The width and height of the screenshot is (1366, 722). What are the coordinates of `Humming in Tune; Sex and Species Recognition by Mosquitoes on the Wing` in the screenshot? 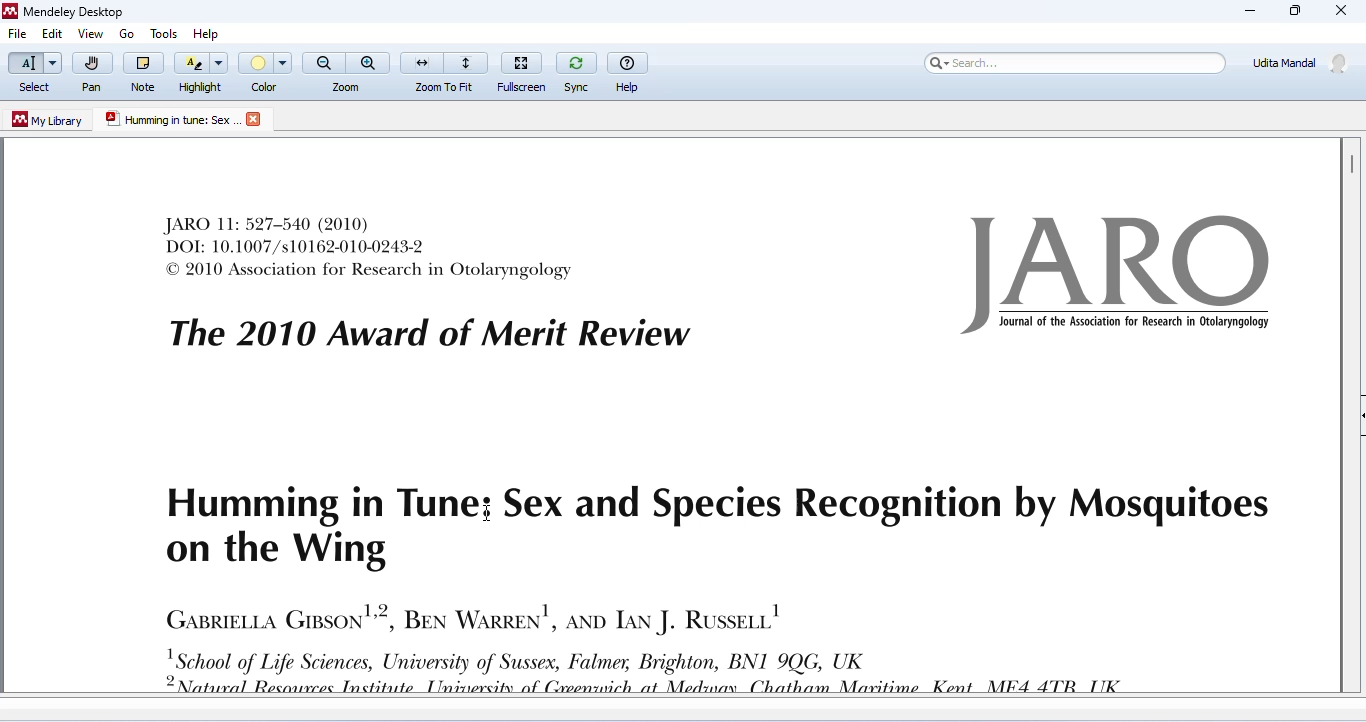 It's located at (711, 529).